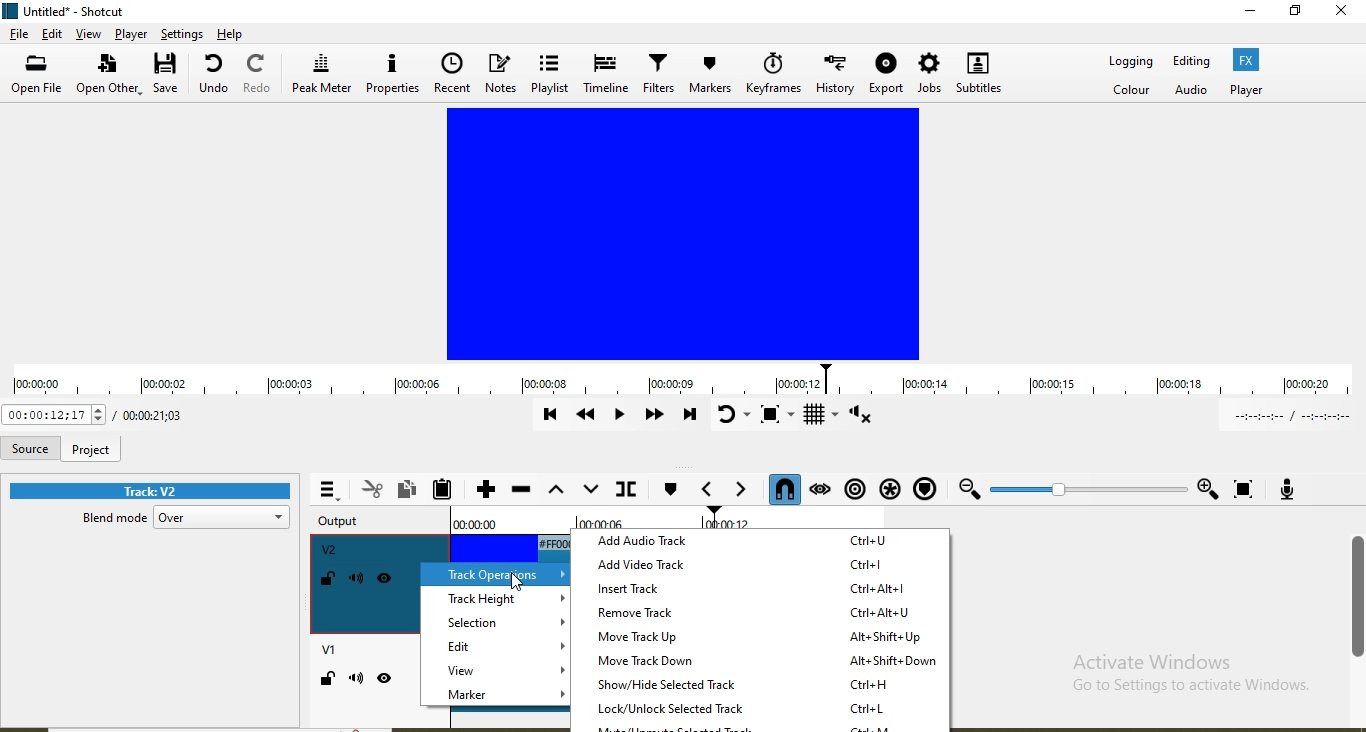 This screenshot has width=1366, height=732. Describe the element at coordinates (653, 414) in the screenshot. I see `Play quickly forward` at that location.